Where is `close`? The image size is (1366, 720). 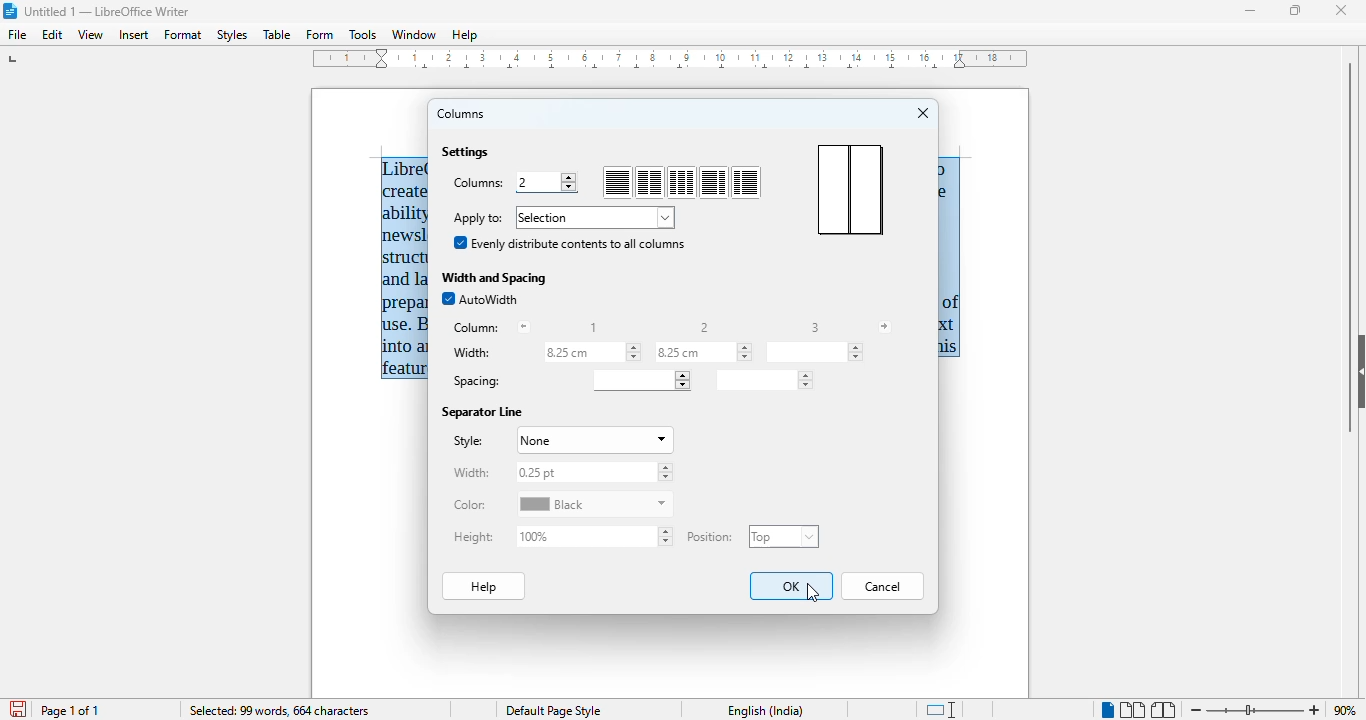 close is located at coordinates (1341, 10).